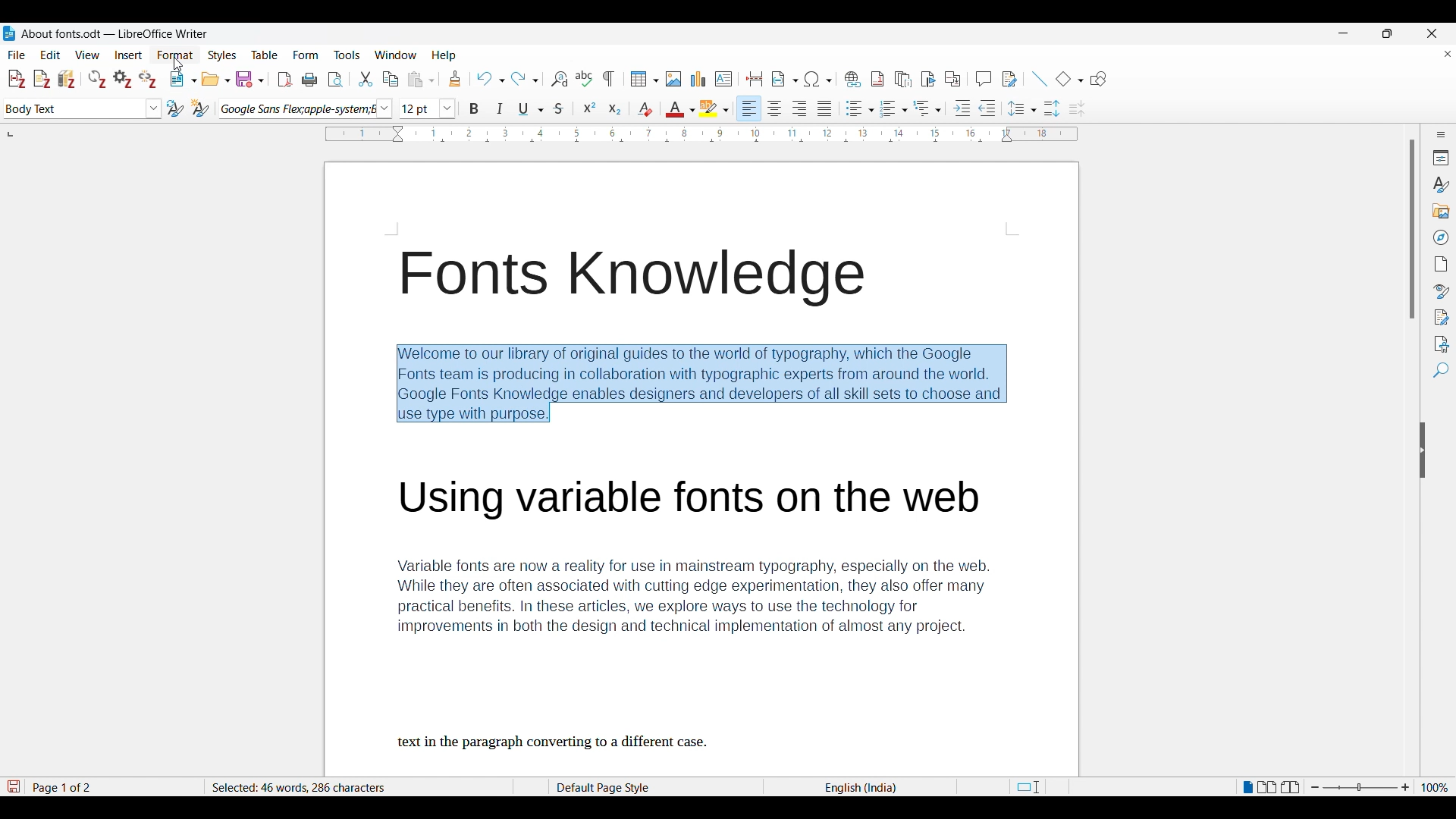 The height and width of the screenshot is (819, 1456). Describe the element at coordinates (698, 79) in the screenshot. I see `Insert chart` at that location.